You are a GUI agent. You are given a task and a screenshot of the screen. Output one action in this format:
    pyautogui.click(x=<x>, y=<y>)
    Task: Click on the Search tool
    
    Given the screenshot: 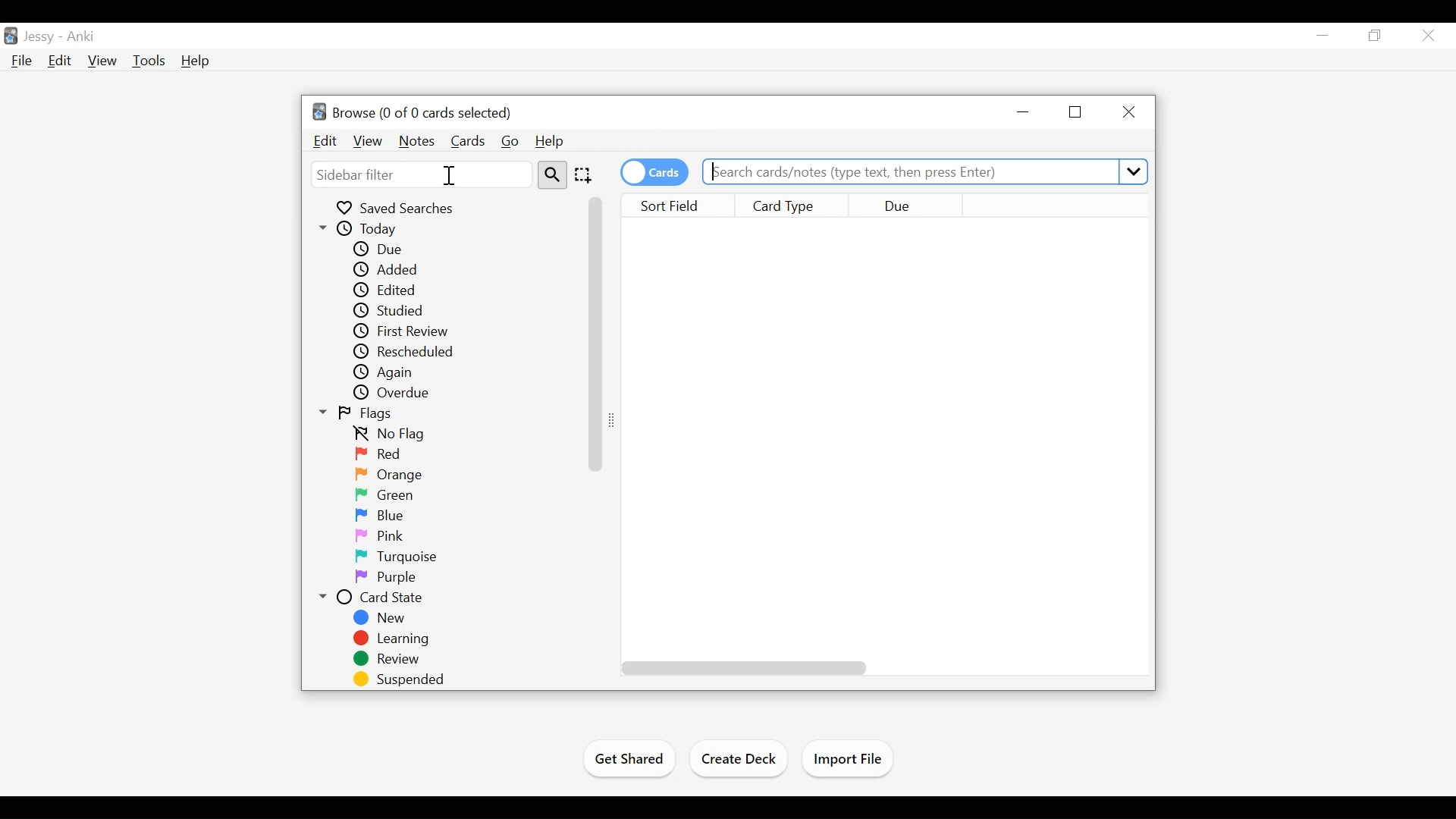 What is the action you would take?
    pyautogui.click(x=554, y=175)
    